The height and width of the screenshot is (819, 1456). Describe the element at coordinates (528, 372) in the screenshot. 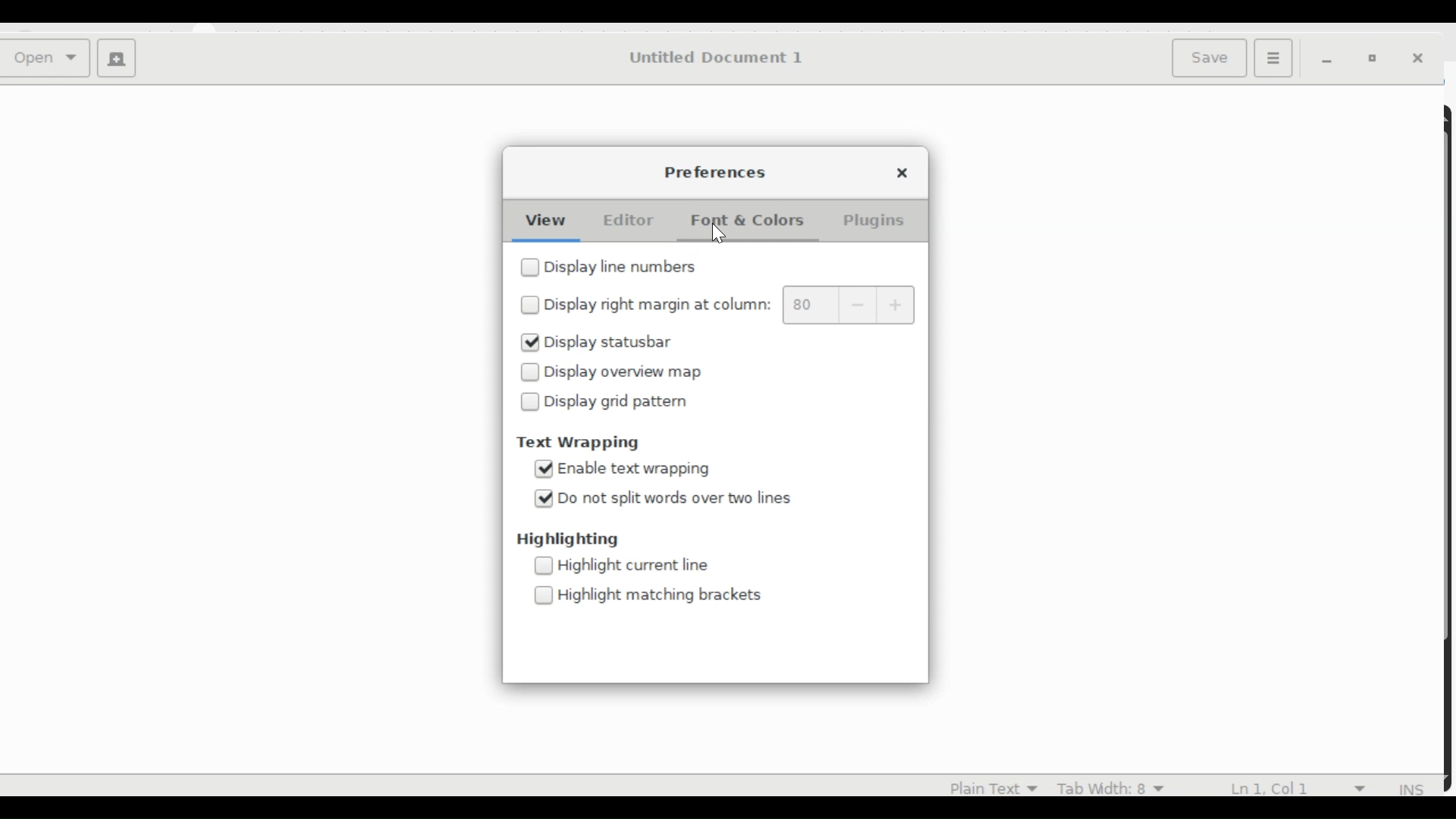

I see `checkbox` at that location.